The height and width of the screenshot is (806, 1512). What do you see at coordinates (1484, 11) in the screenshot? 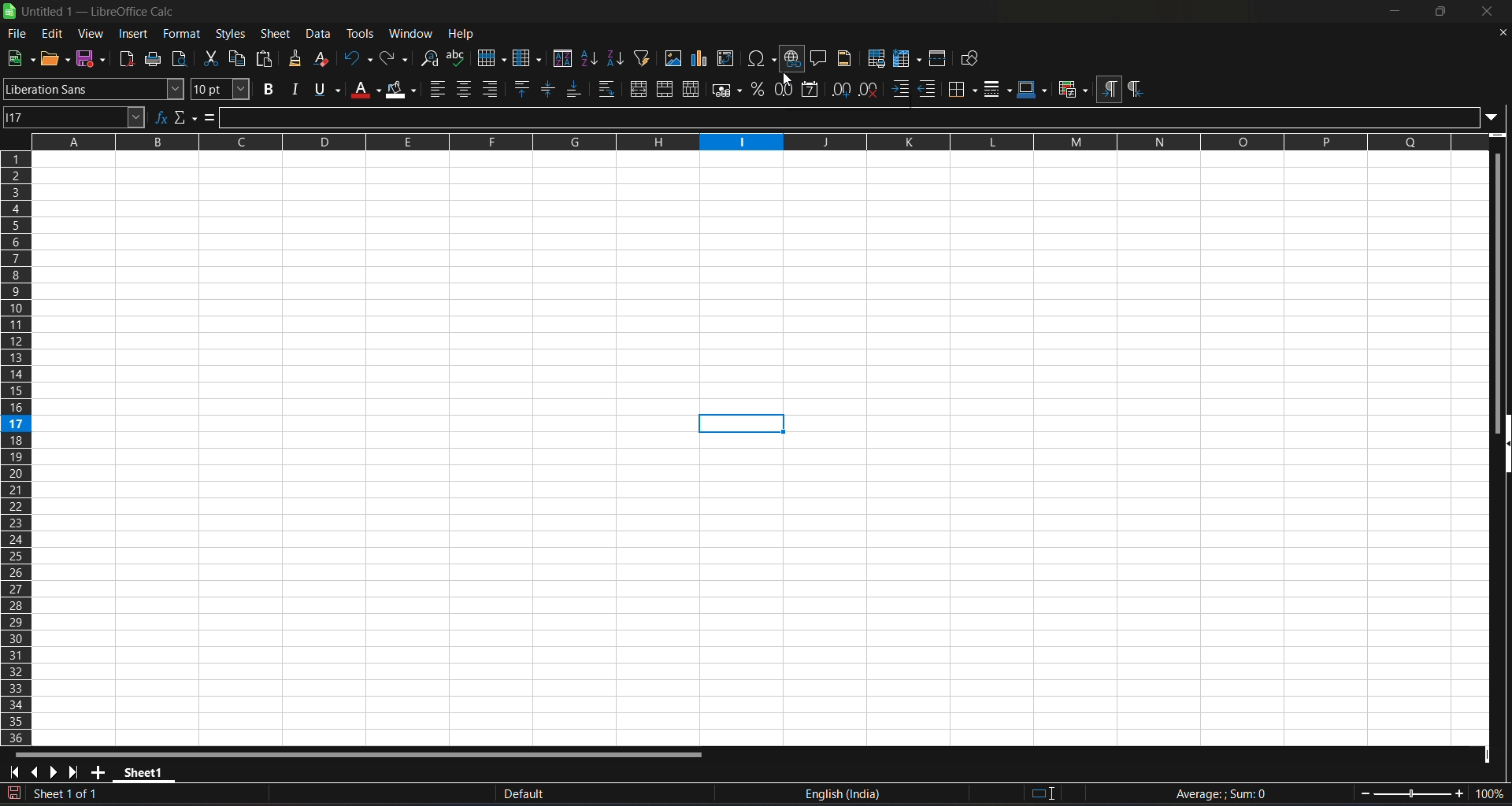
I see `close` at bounding box center [1484, 11].